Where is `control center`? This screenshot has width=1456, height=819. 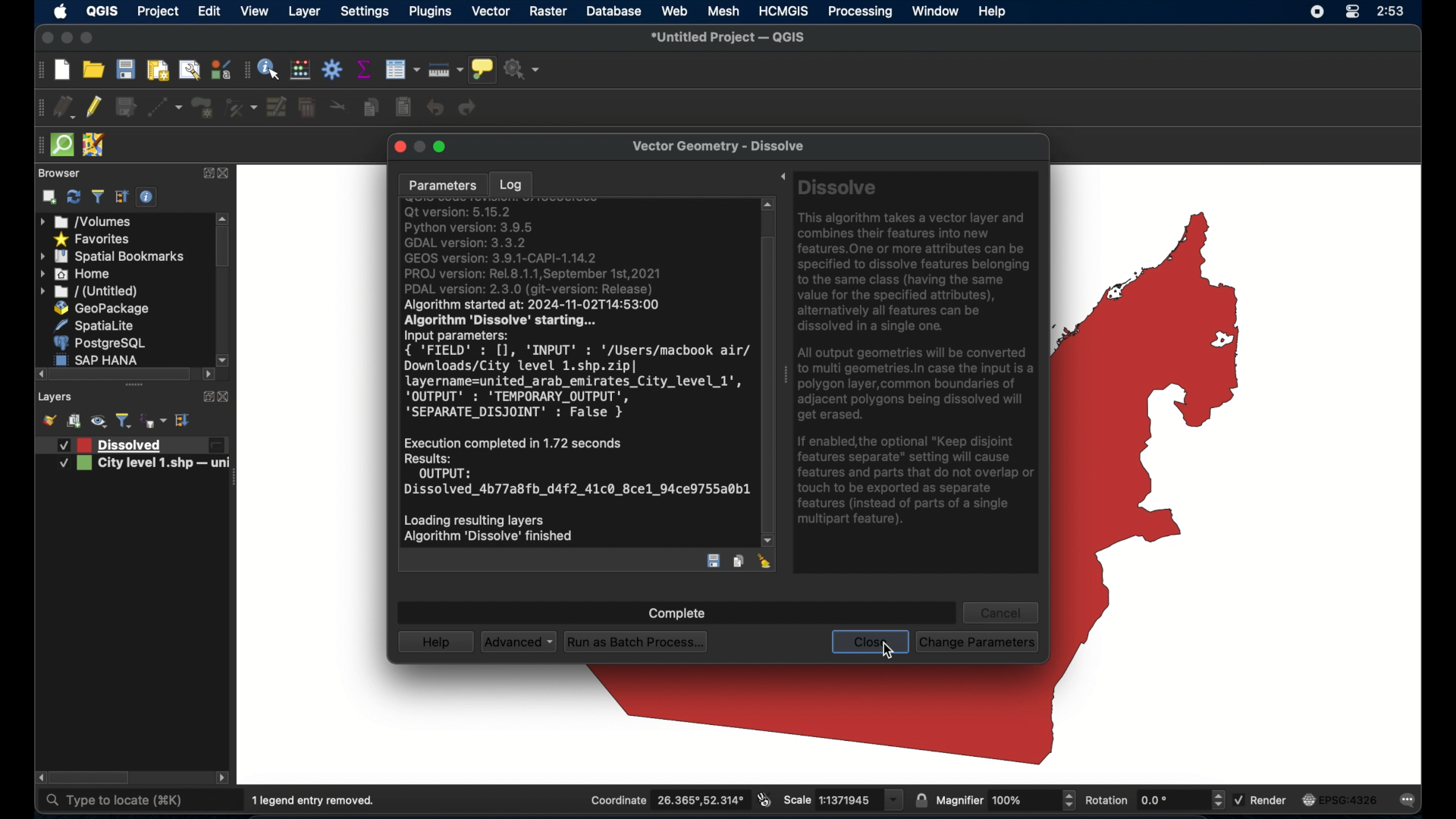
control center is located at coordinates (1351, 12).